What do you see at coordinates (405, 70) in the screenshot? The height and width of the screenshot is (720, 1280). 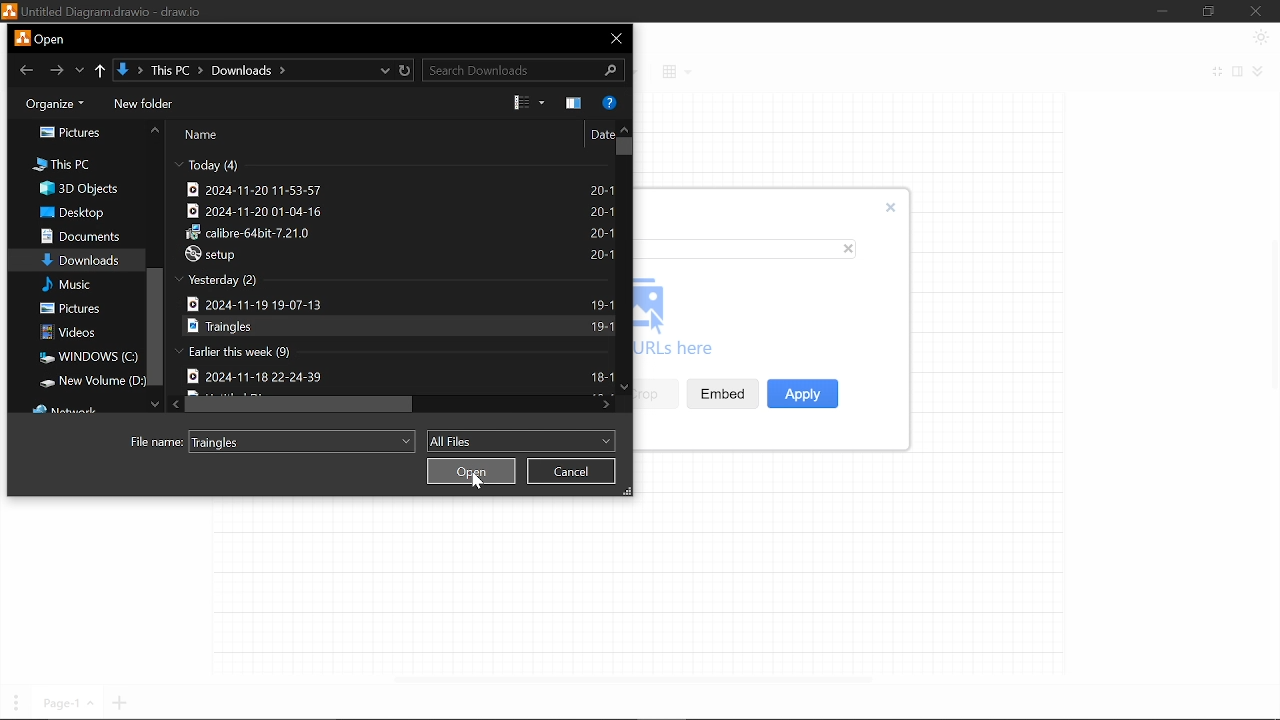 I see `Refresh` at bounding box center [405, 70].